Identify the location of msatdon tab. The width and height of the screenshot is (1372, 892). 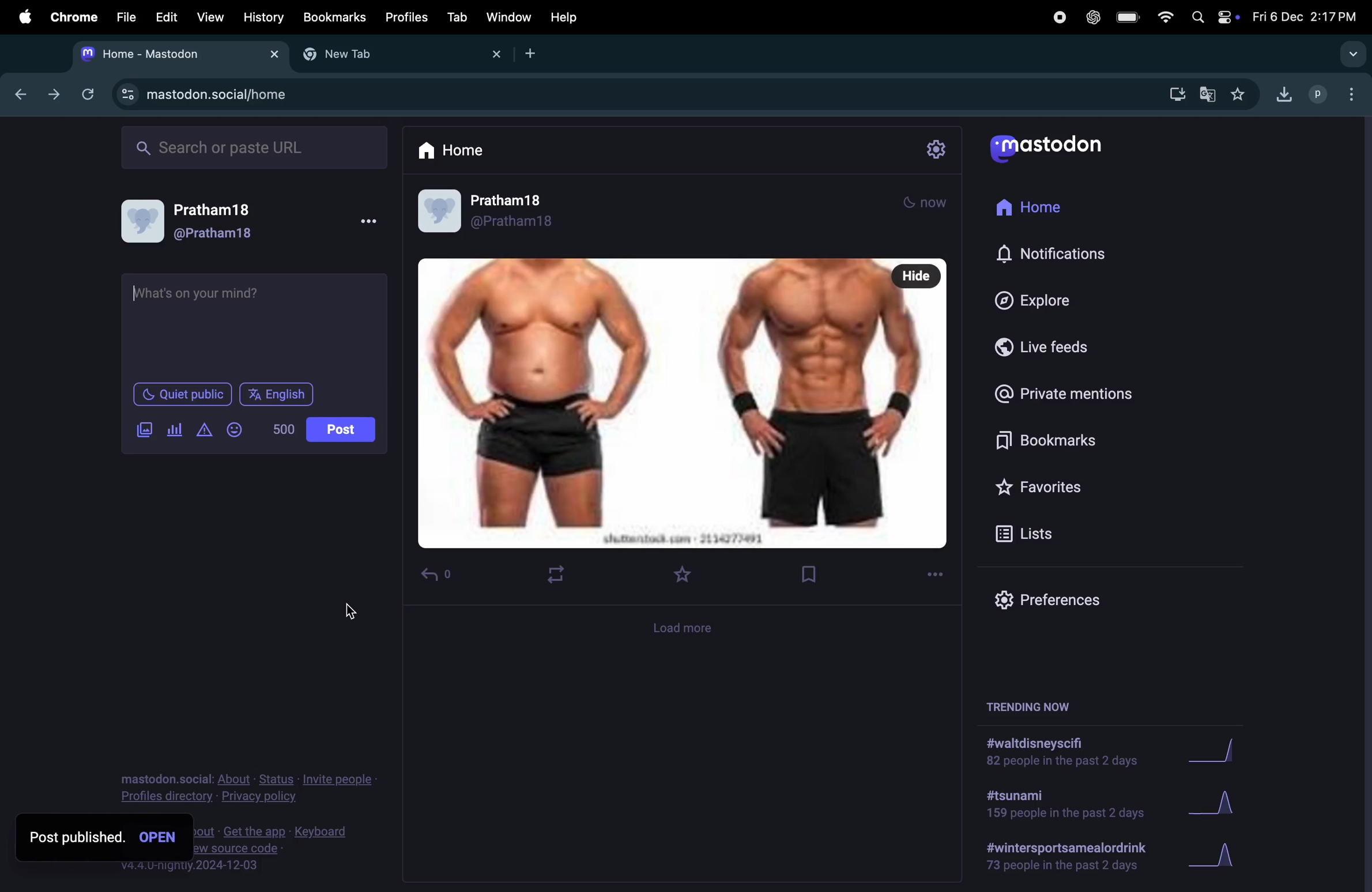
(175, 52).